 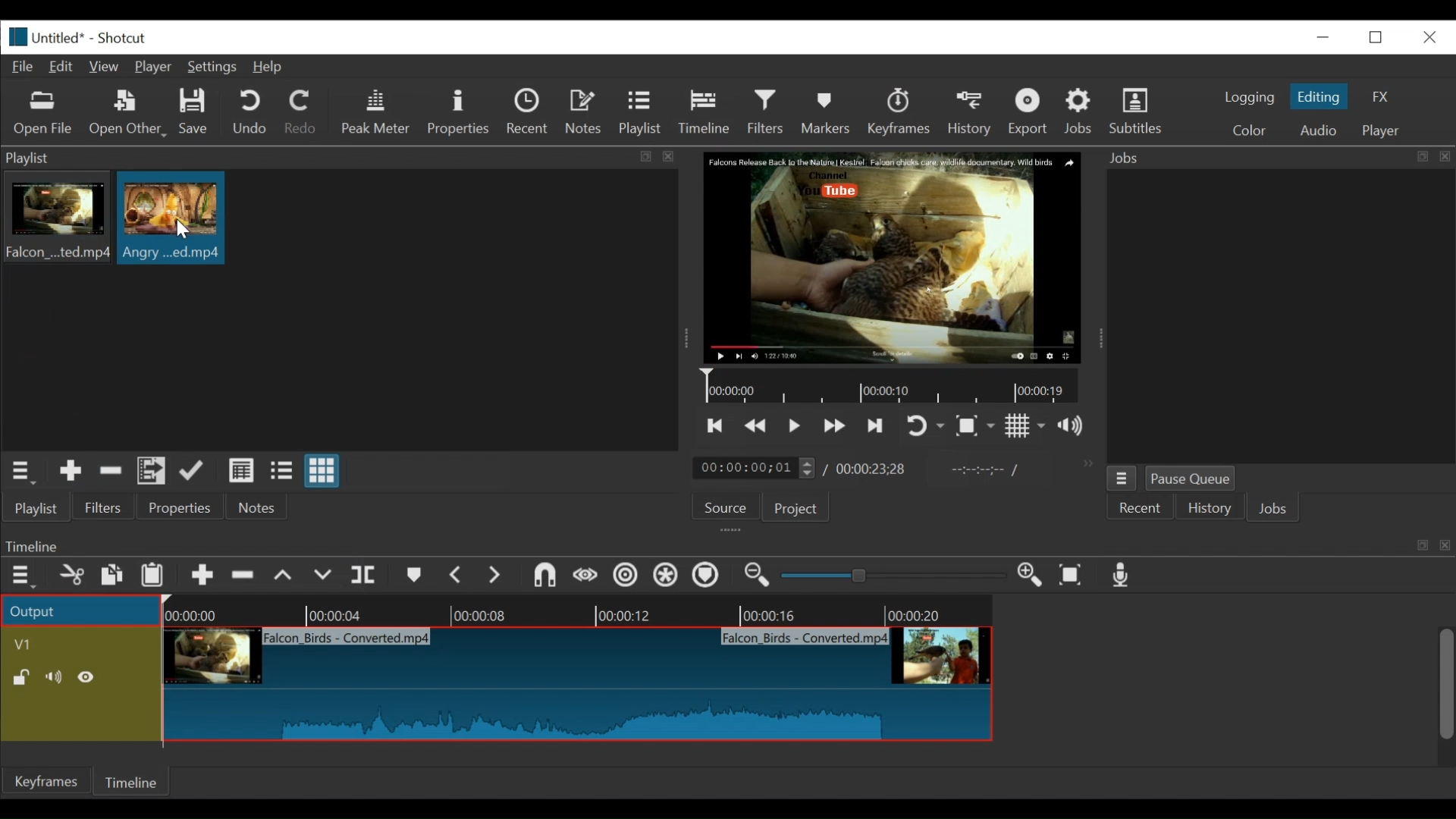 I want to click on Timeline, so click(x=581, y=610).